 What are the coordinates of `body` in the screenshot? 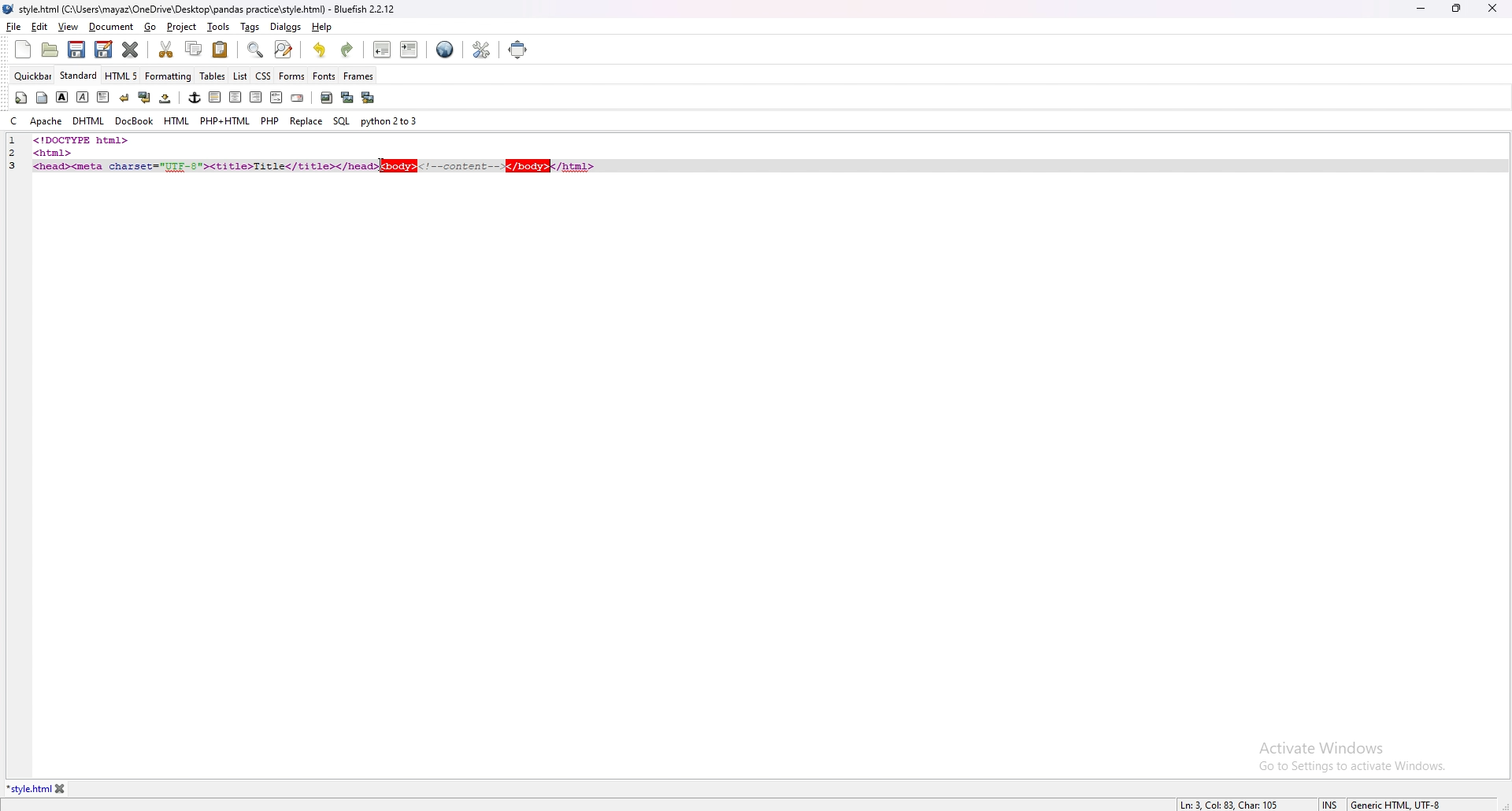 It's located at (43, 96).